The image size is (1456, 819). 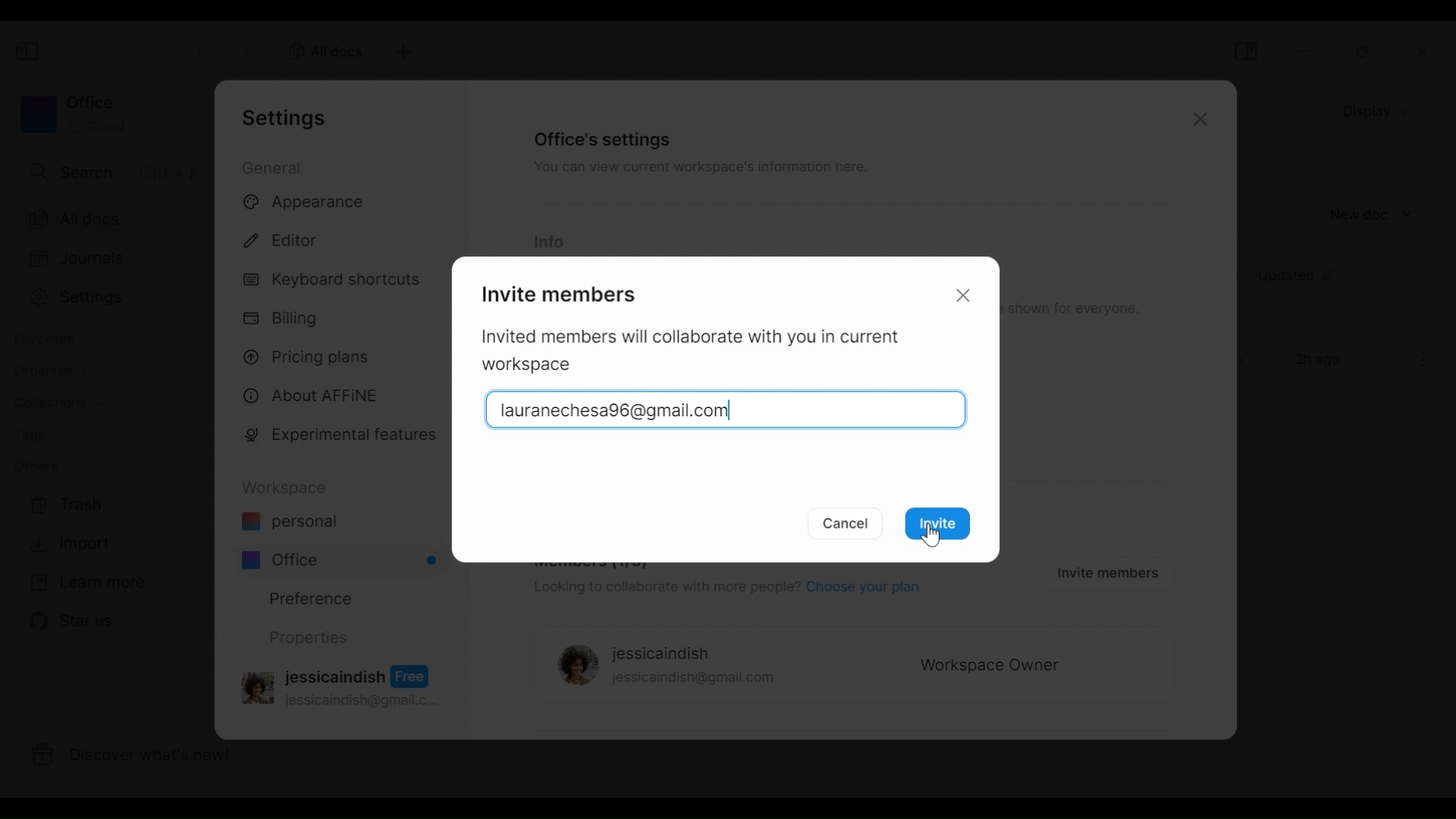 I want to click on Learn more, so click(x=87, y=583).